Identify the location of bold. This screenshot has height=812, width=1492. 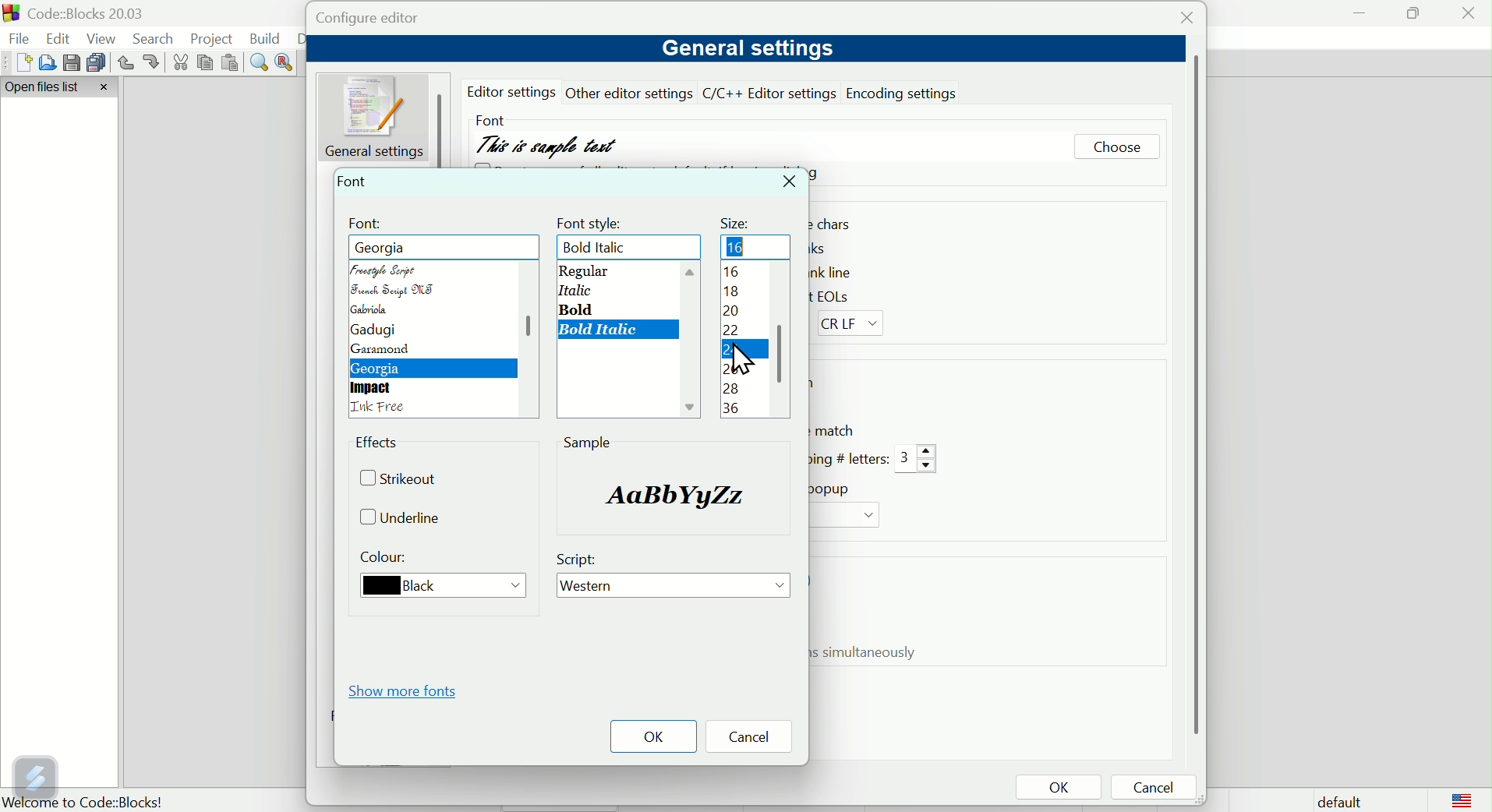
(581, 309).